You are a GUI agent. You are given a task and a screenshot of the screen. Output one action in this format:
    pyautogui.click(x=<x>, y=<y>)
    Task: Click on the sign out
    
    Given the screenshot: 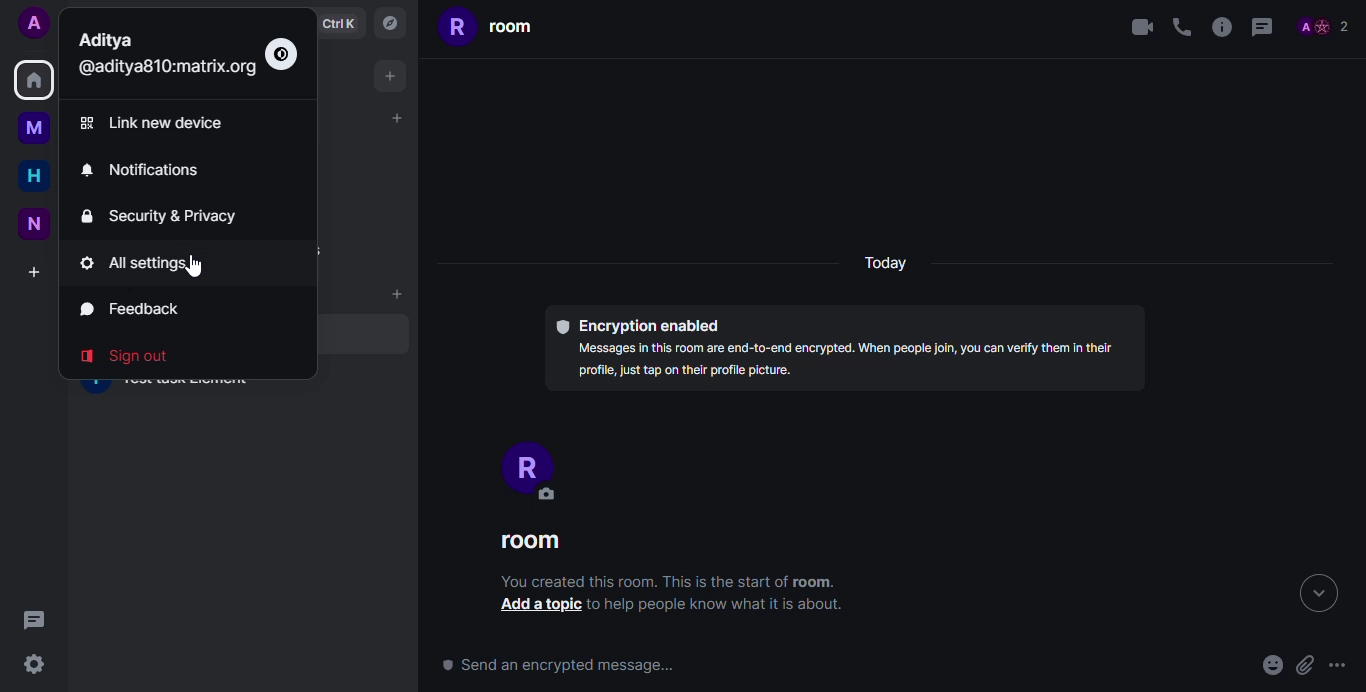 What is the action you would take?
    pyautogui.click(x=123, y=356)
    